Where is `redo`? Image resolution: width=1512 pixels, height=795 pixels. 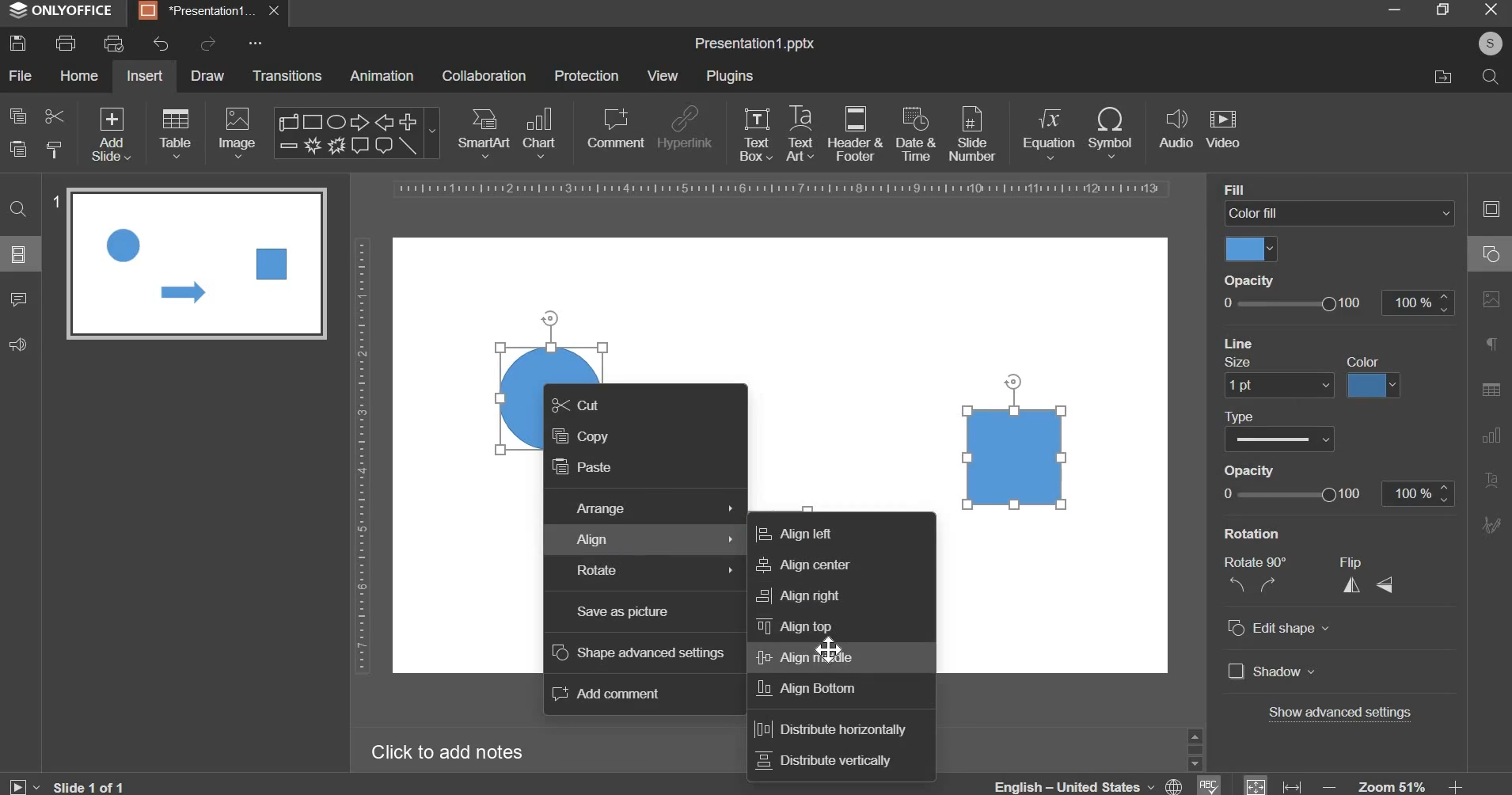
redo is located at coordinates (206, 44).